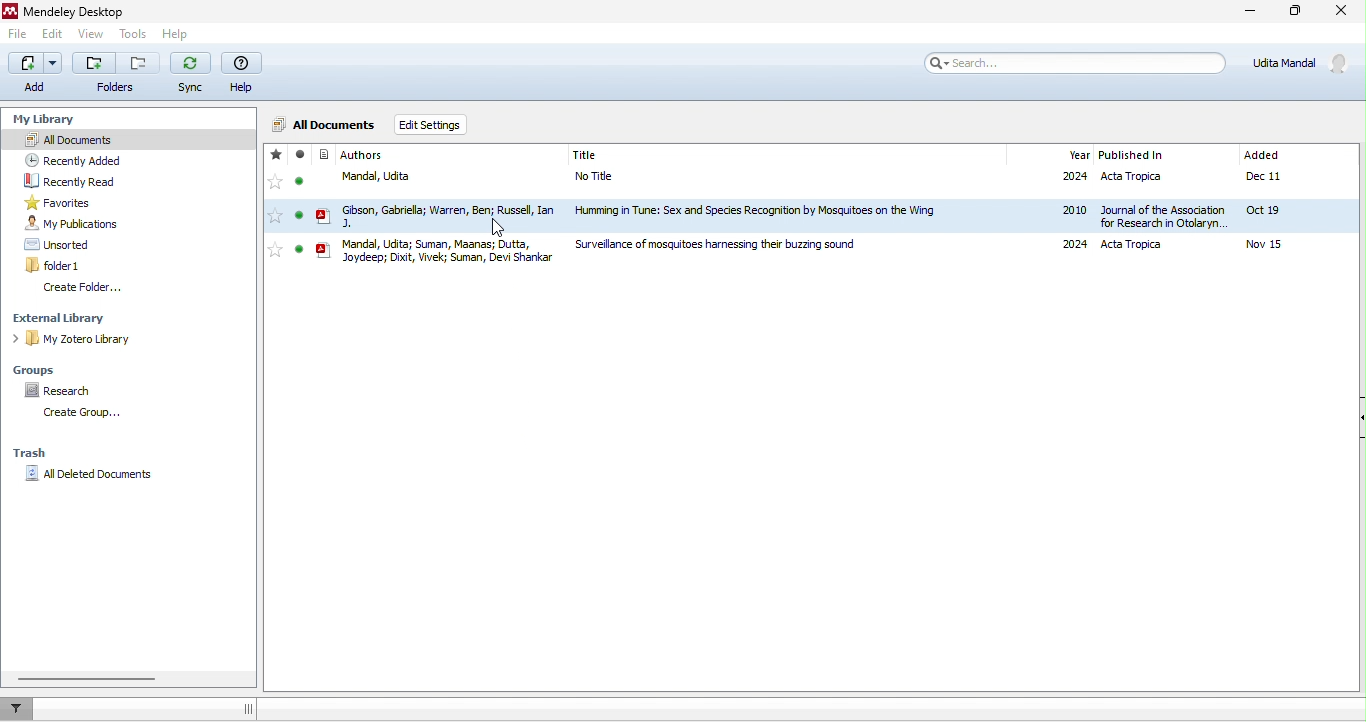 The height and width of the screenshot is (722, 1366). Describe the element at coordinates (63, 390) in the screenshot. I see `research` at that location.